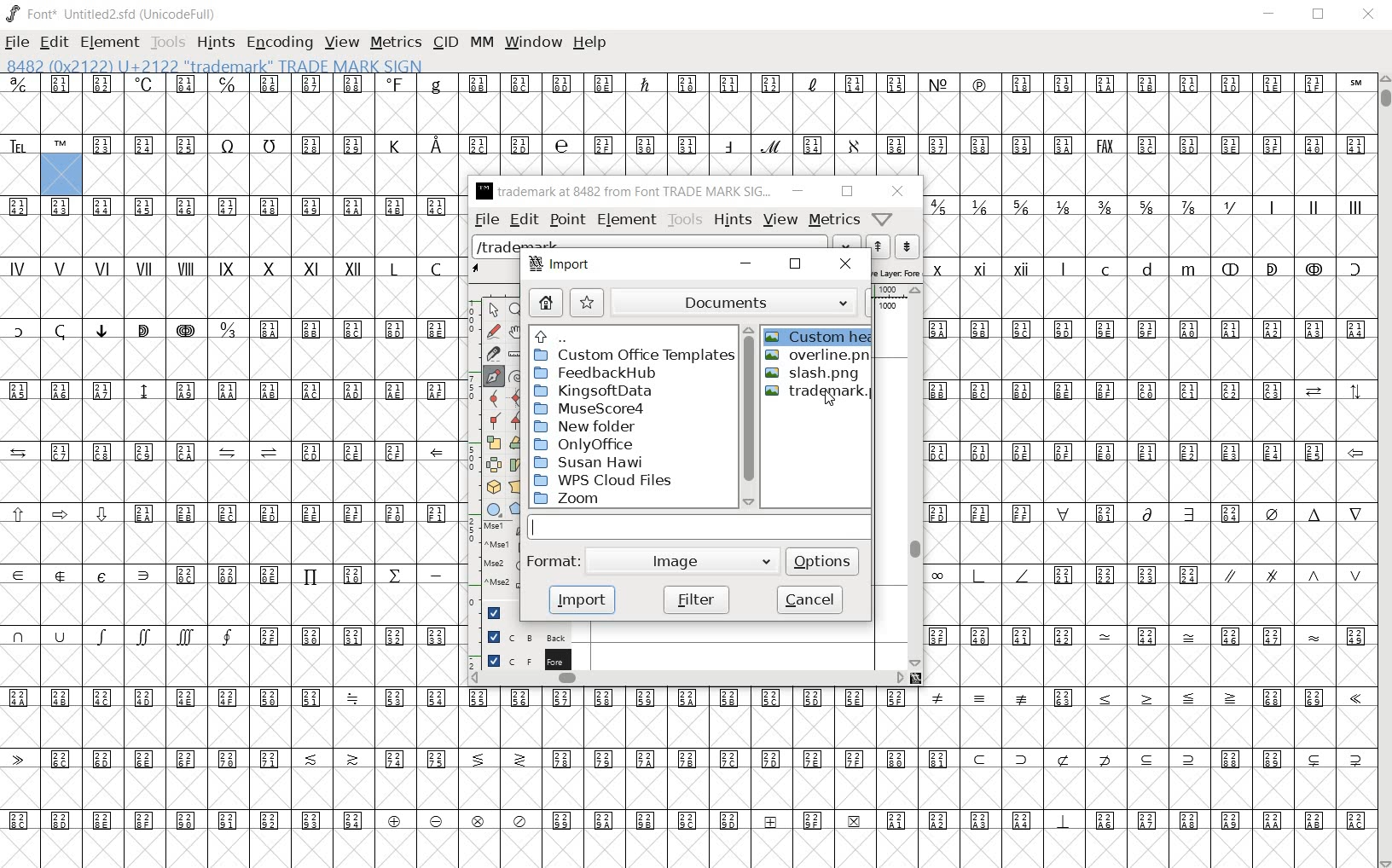 The image size is (1392, 868). I want to click on input field, so click(702, 526).